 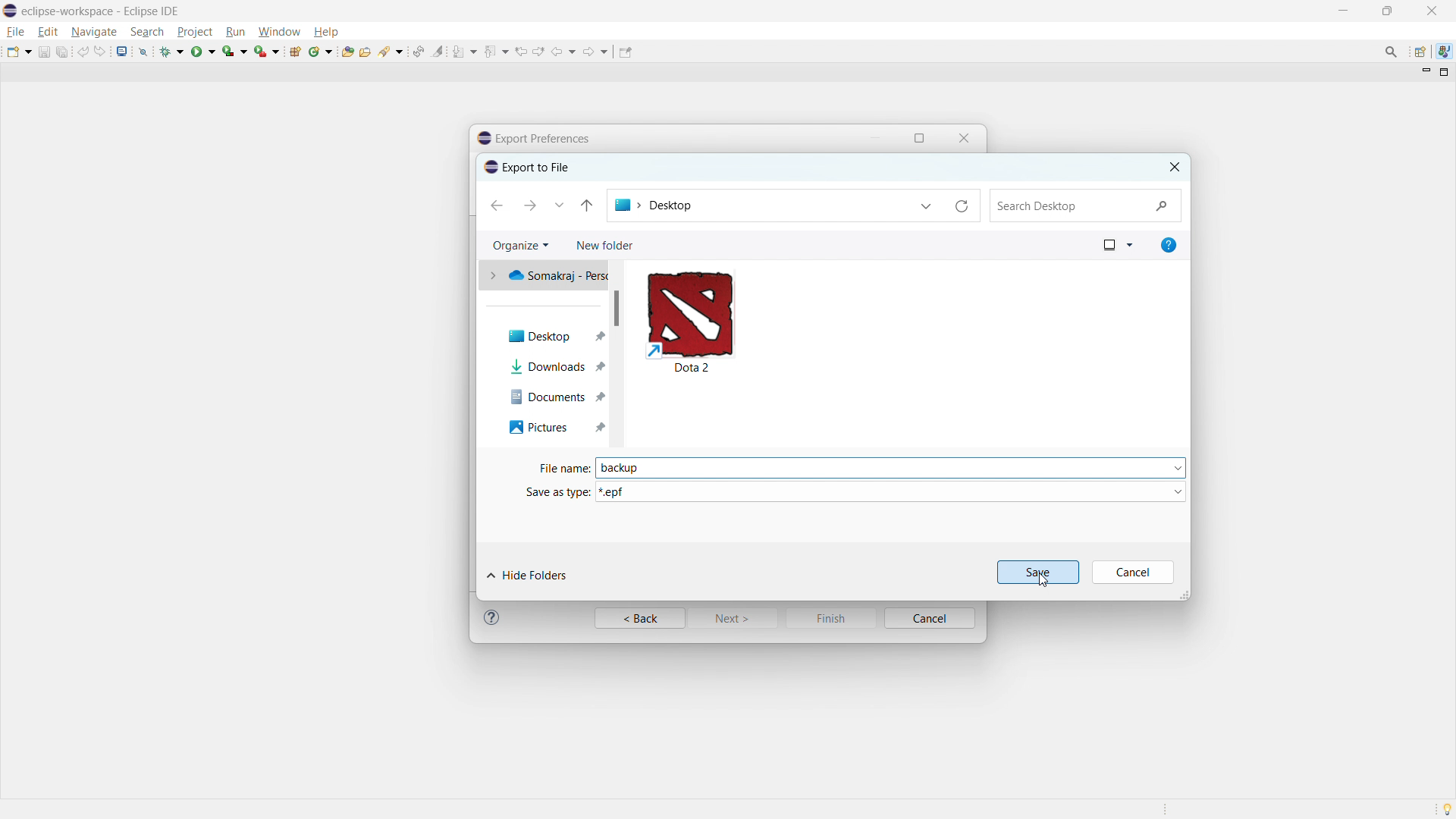 What do you see at coordinates (521, 52) in the screenshot?
I see `view previous location` at bounding box center [521, 52].